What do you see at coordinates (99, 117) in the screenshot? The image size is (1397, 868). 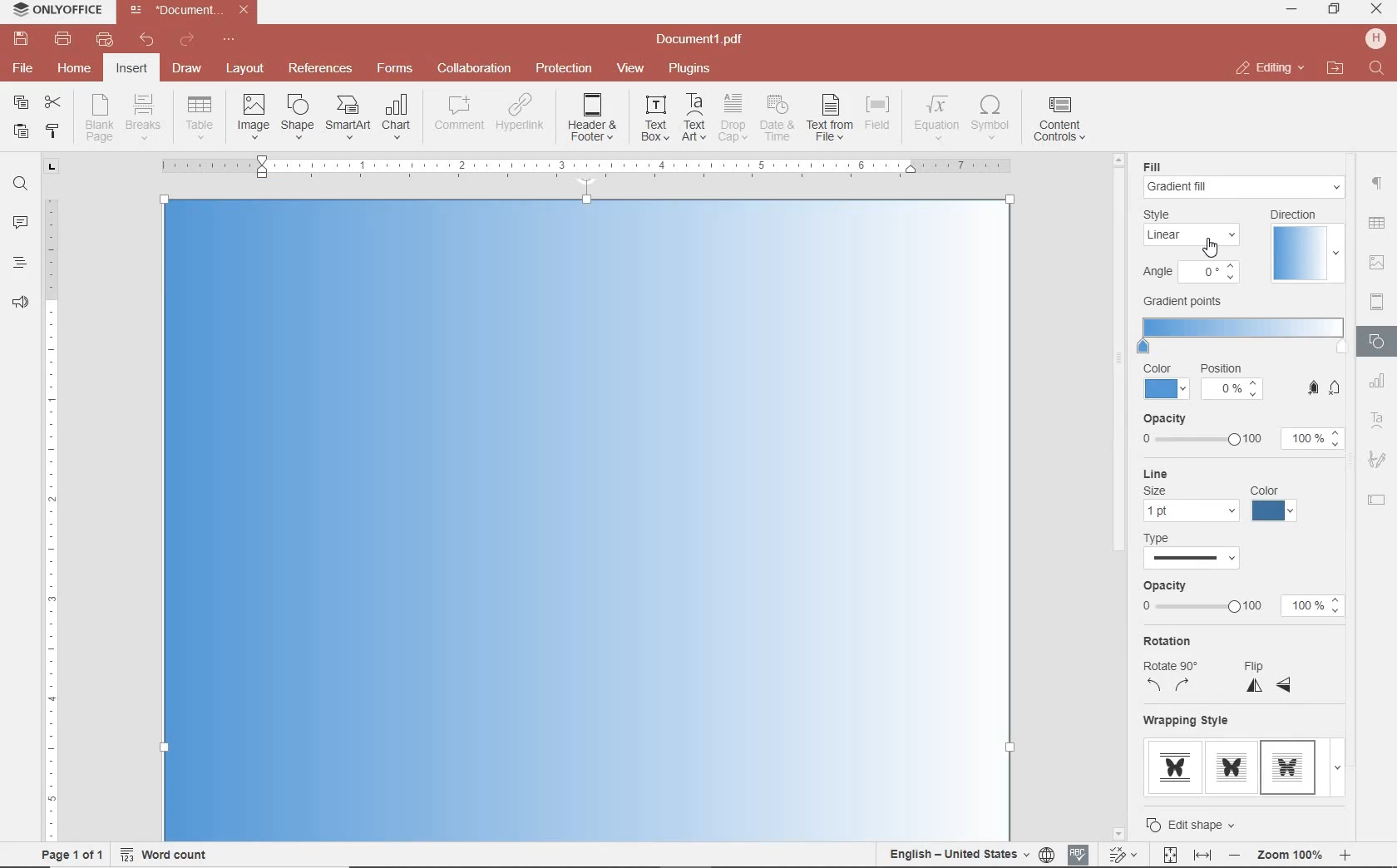 I see `INSERT BLANK PAGE` at bounding box center [99, 117].